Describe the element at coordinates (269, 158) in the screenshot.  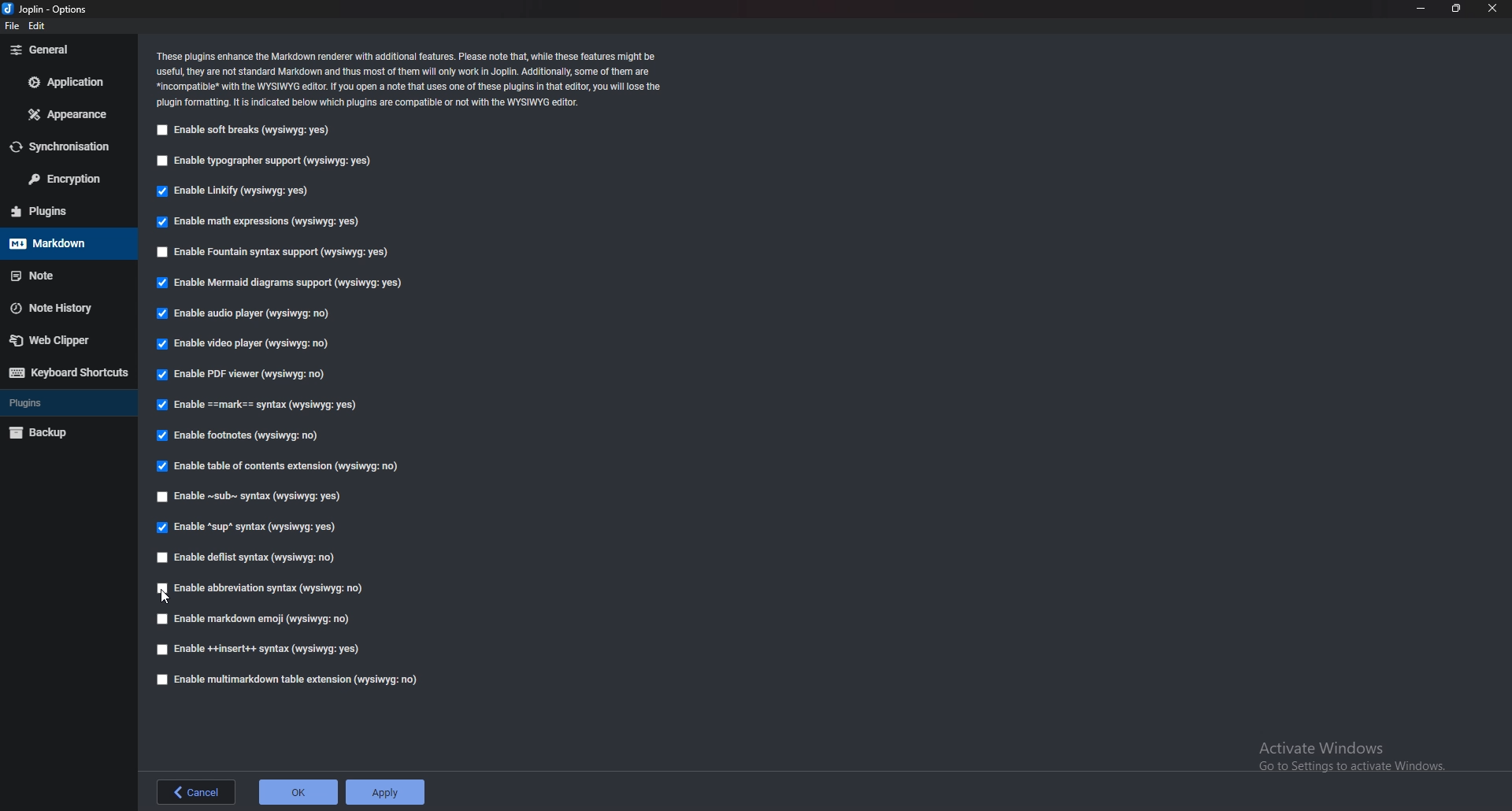
I see `Enable typographer support (wysiwyg: yes)` at that location.